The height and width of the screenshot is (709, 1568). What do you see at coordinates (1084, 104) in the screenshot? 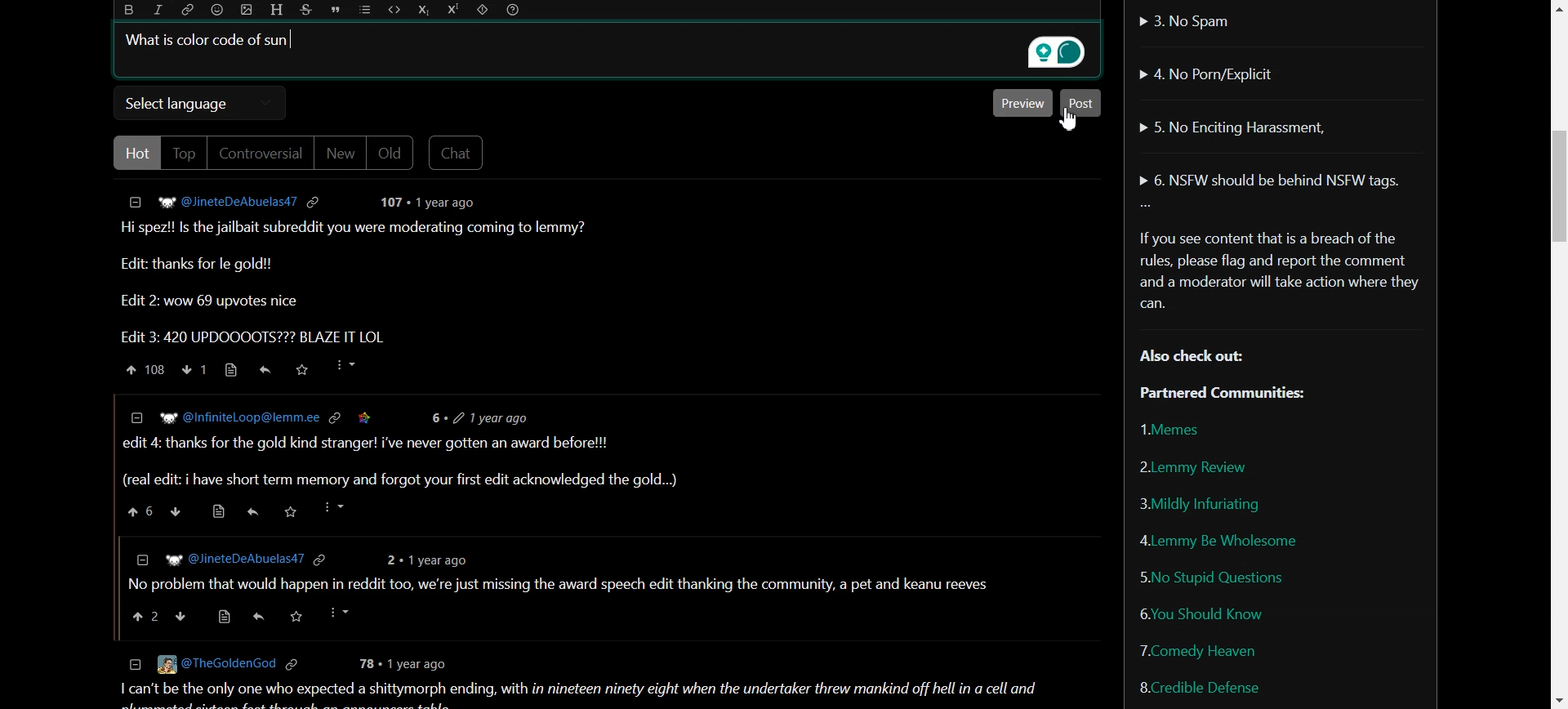
I see `Post` at bounding box center [1084, 104].